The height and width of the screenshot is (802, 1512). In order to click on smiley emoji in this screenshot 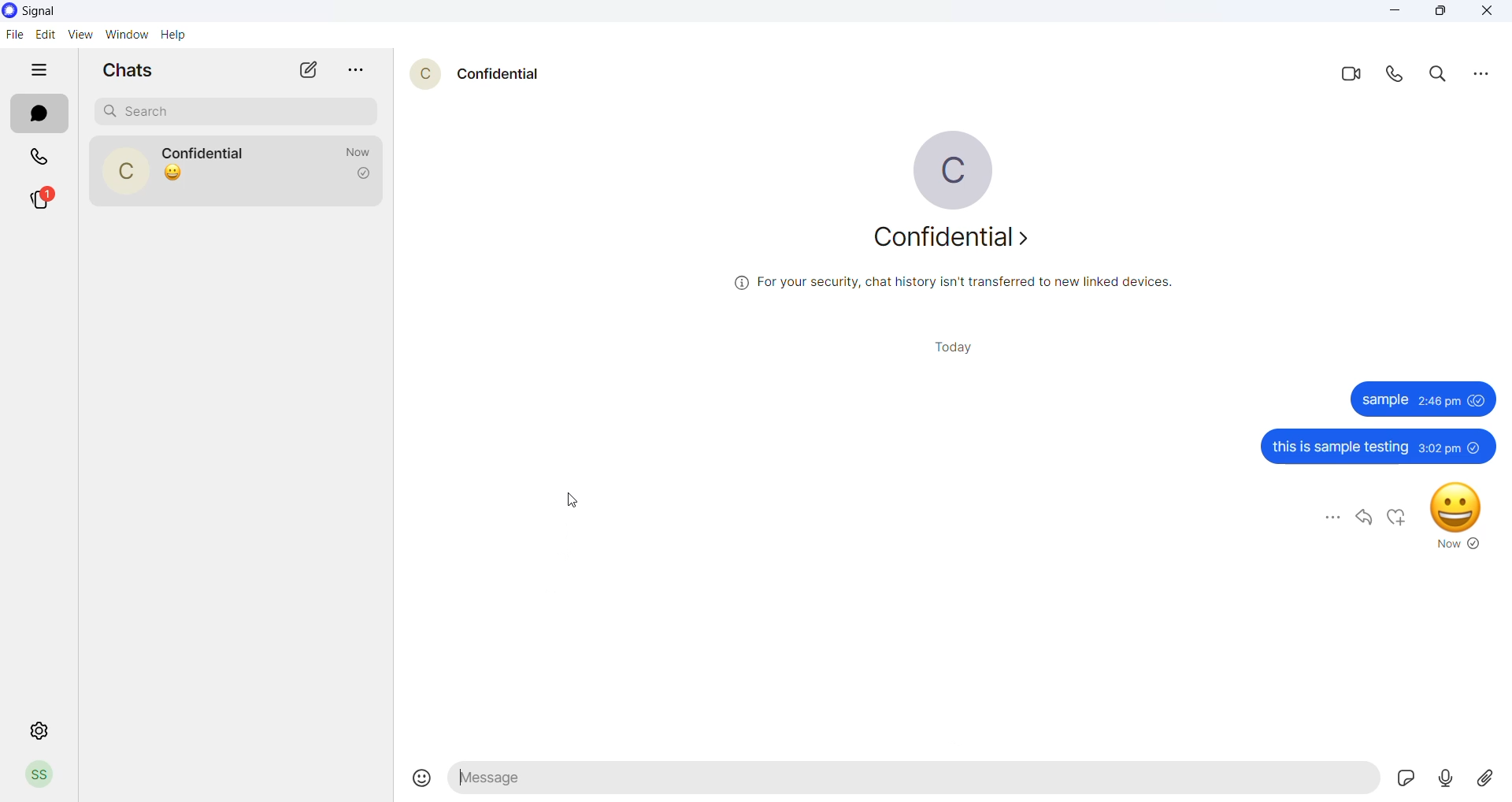, I will do `click(1458, 515)`.